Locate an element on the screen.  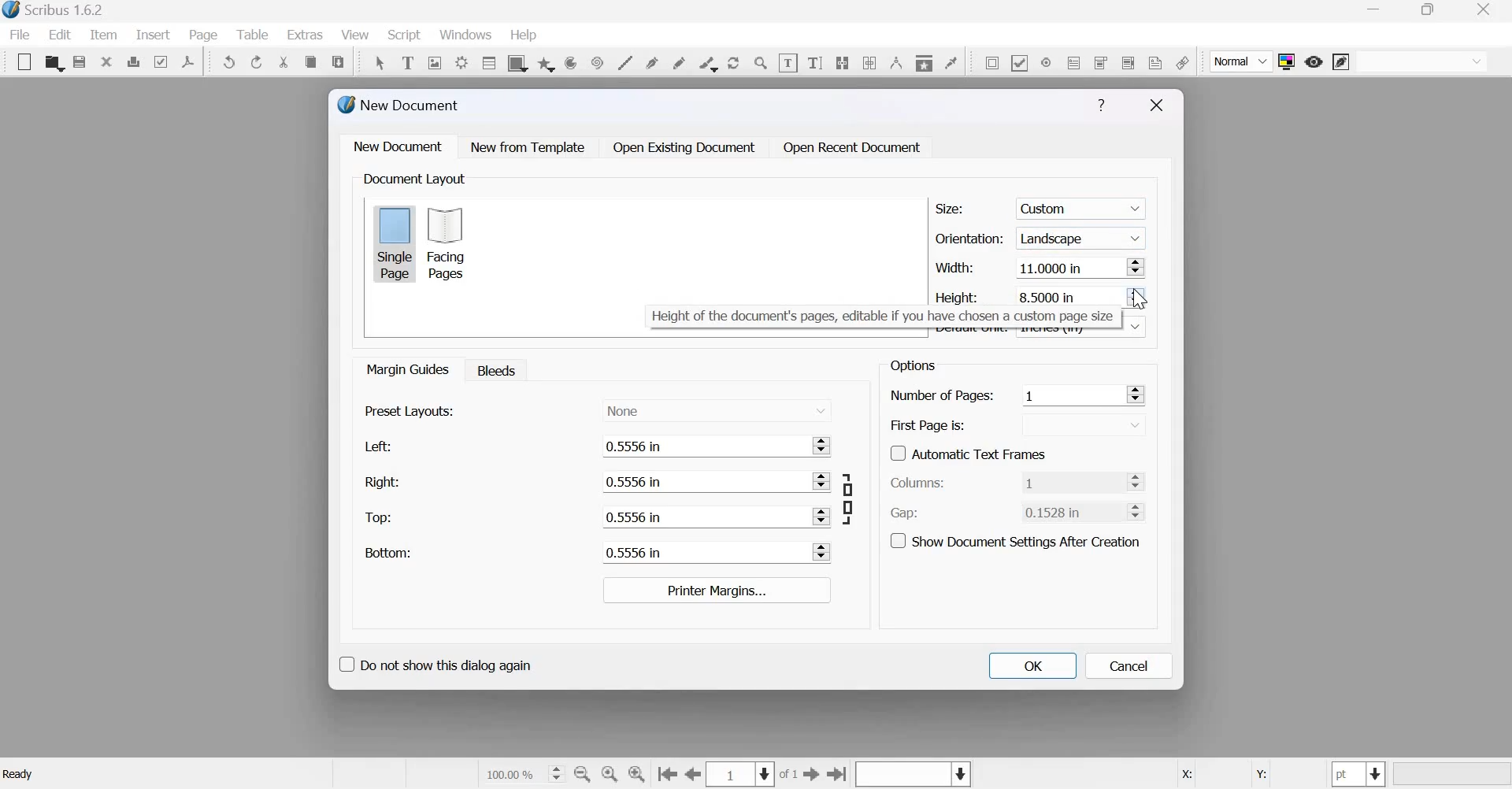
Facing pages is located at coordinates (450, 243).